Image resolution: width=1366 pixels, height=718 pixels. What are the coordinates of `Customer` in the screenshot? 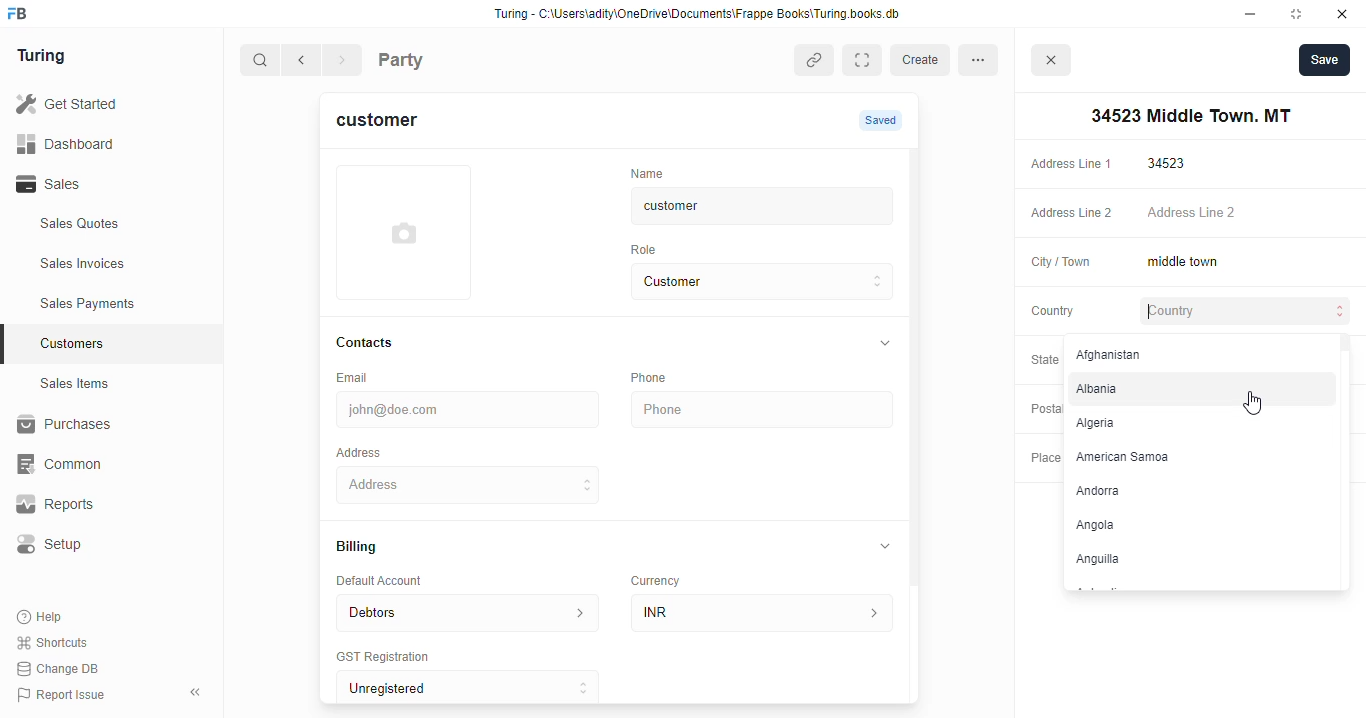 It's located at (746, 282).